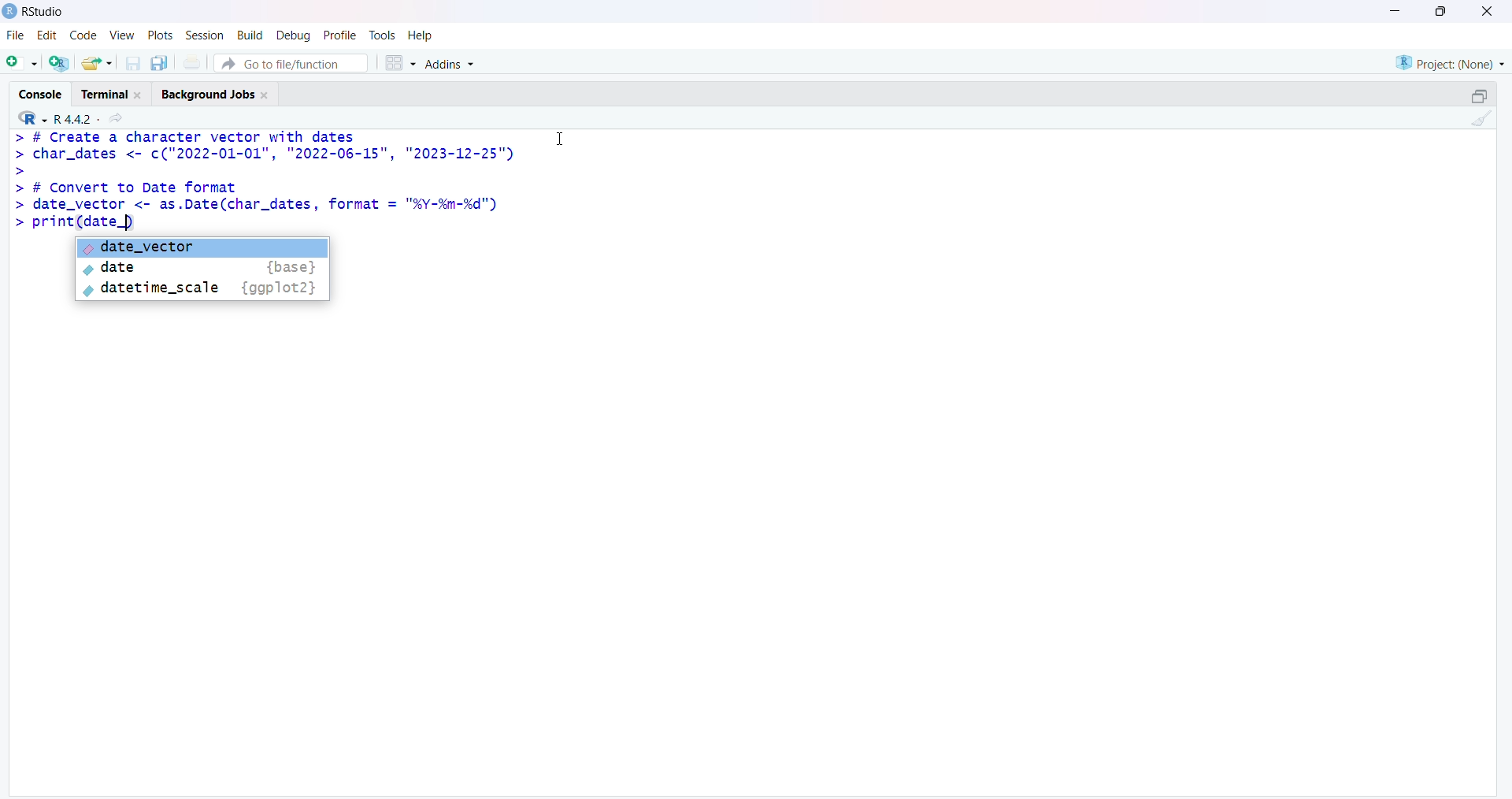 The image size is (1512, 799). What do you see at coordinates (1447, 61) in the screenshot?
I see `Project (Note)` at bounding box center [1447, 61].